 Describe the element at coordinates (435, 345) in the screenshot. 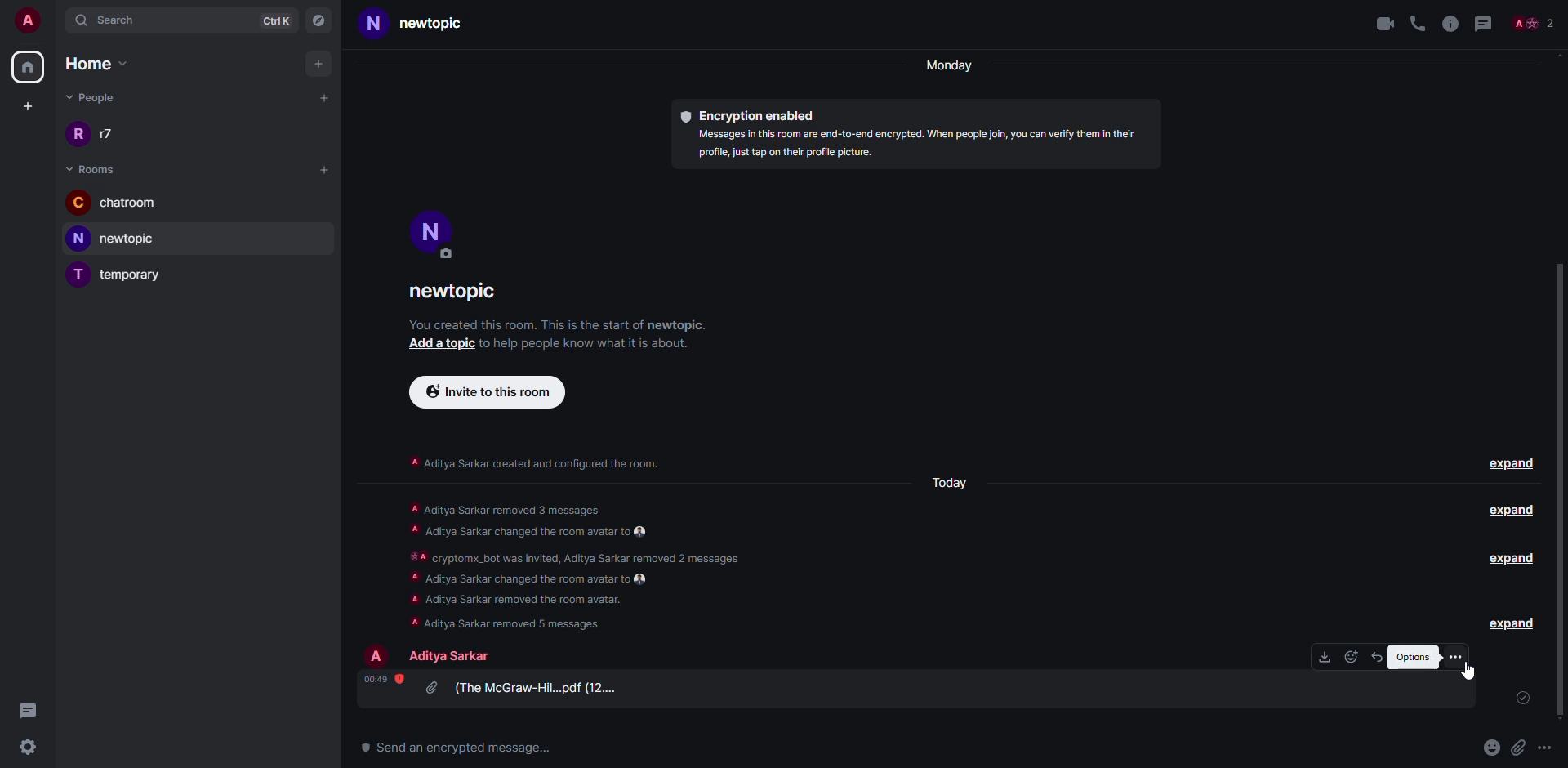

I see `add a topic` at that location.